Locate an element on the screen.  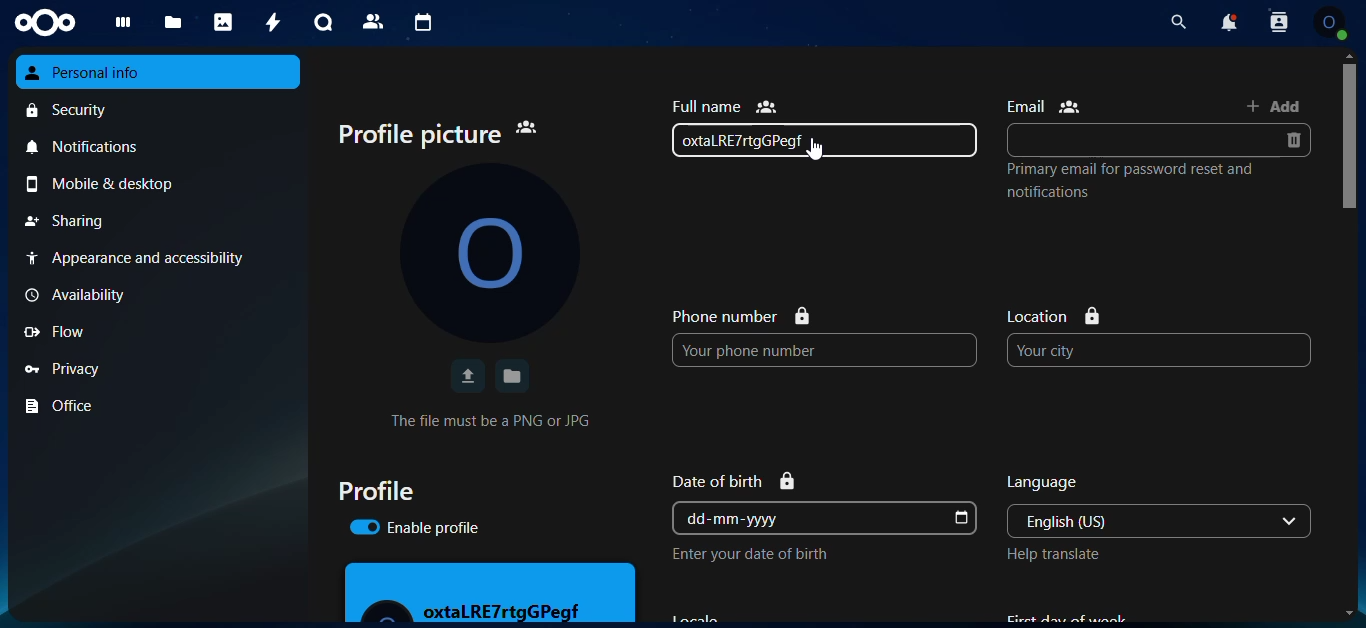
language is located at coordinates (1044, 483).